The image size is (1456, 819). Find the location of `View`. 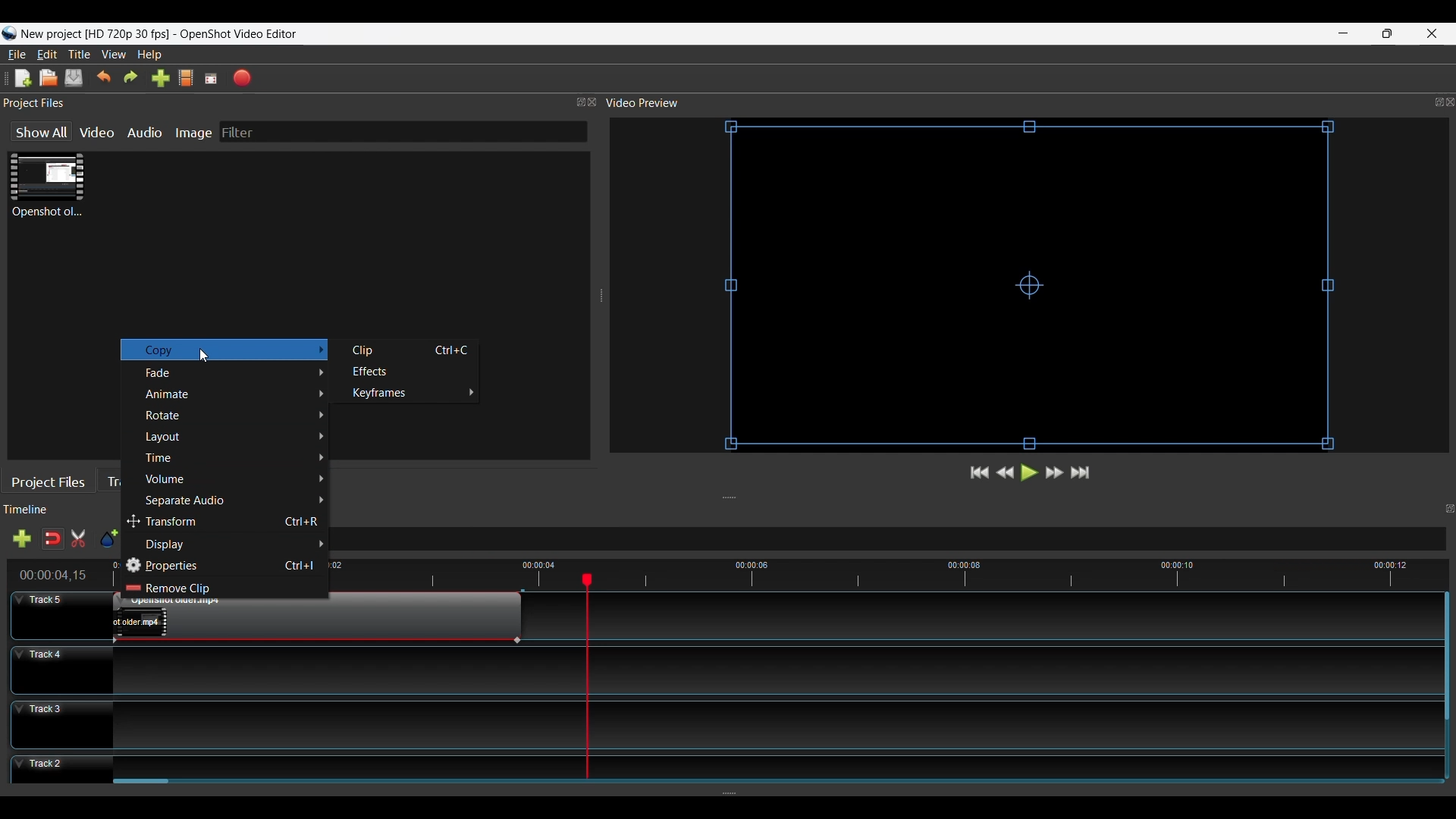

View is located at coordinates (115, 55).